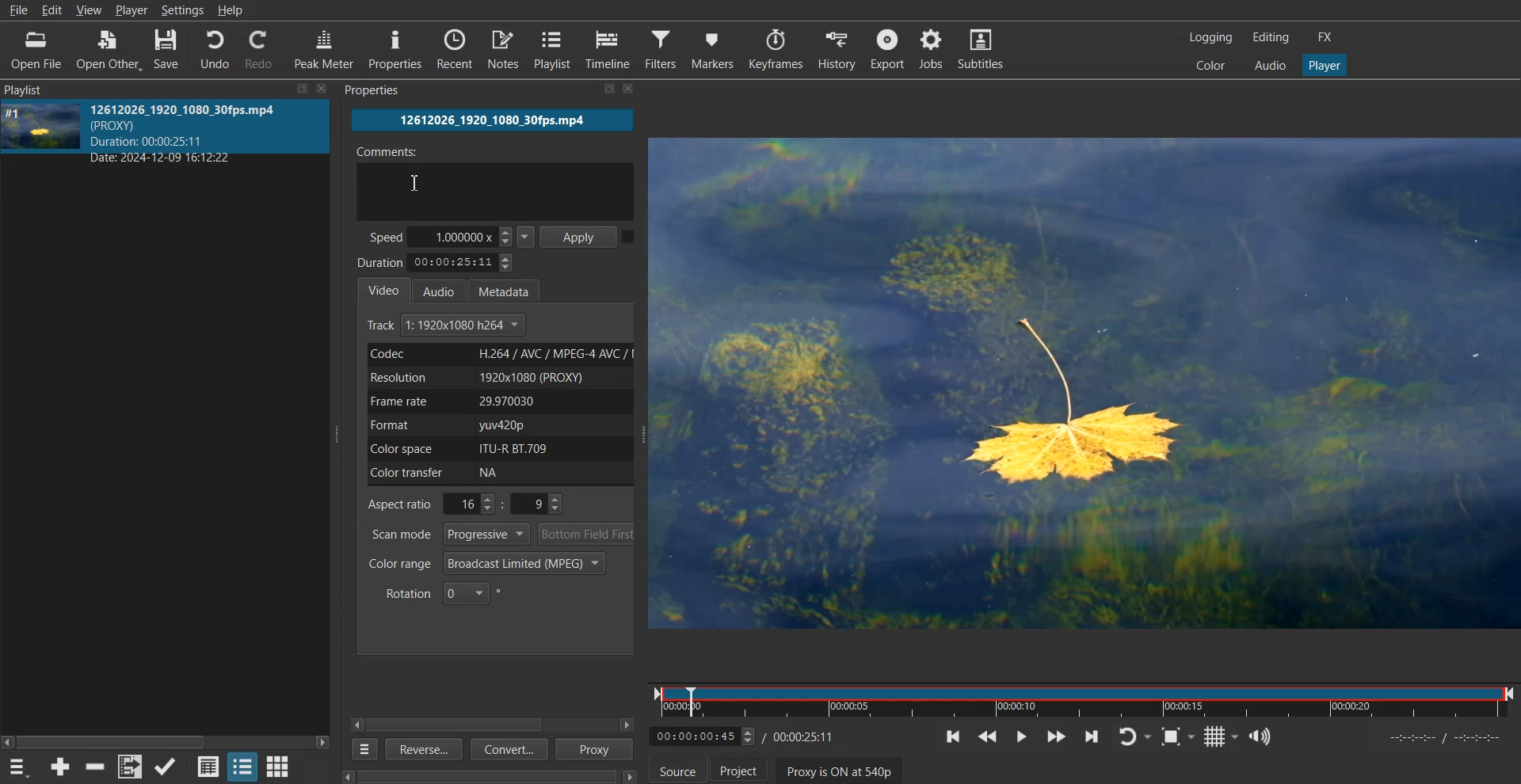 The image size is (1521, 784). Describe the element at coordinates (36, 49) in the screenshot. I see `Open File` at that location.